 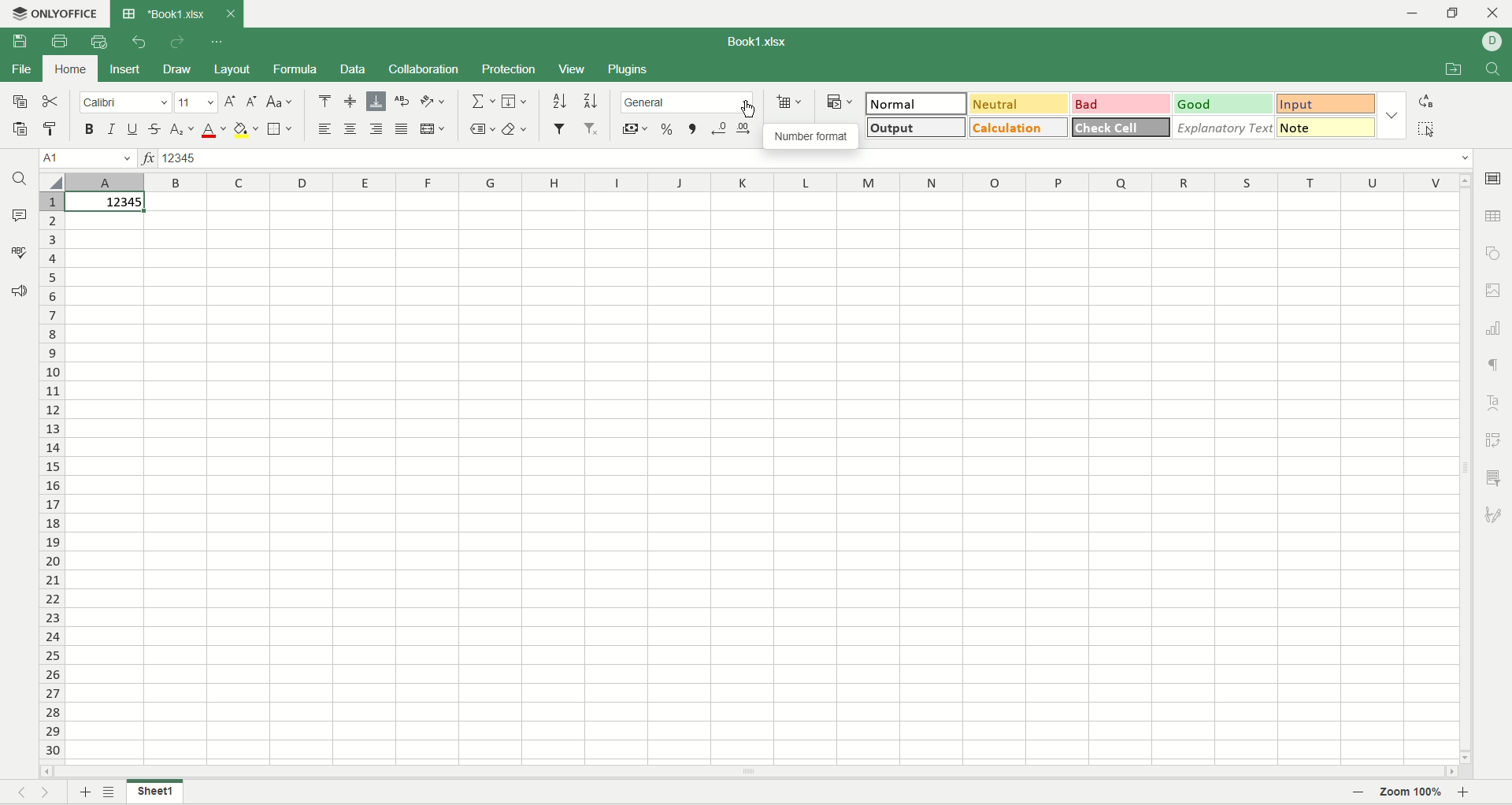 What do you see at coordinates (1496, 291) in the screenshot?
I see `image settings` at bounding box center [1496, 291].